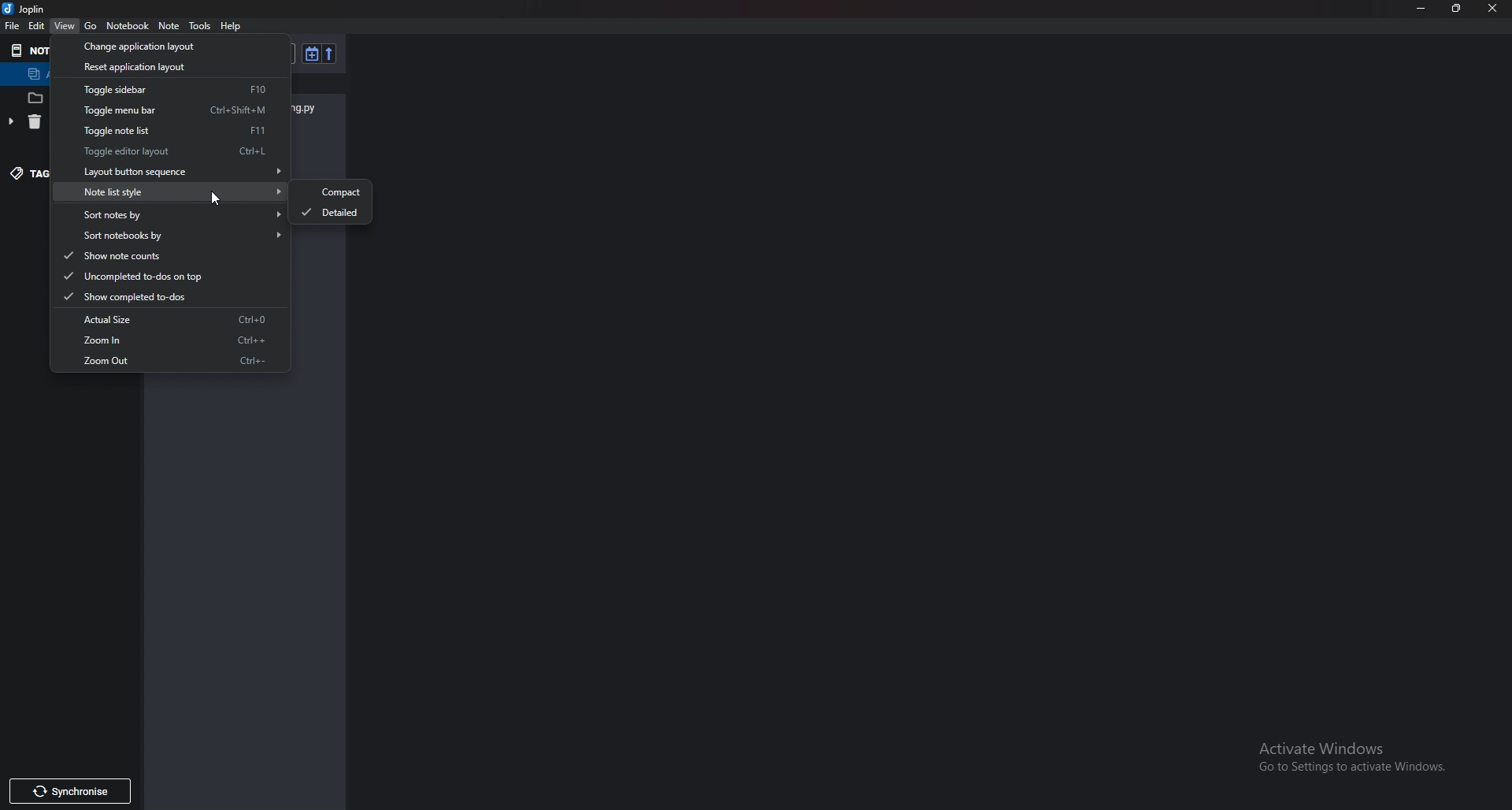 This screenshot has width=1512, height=810. Describe the element at coordinates (200, 26) in the screenshot. I see `Tools` at that location.